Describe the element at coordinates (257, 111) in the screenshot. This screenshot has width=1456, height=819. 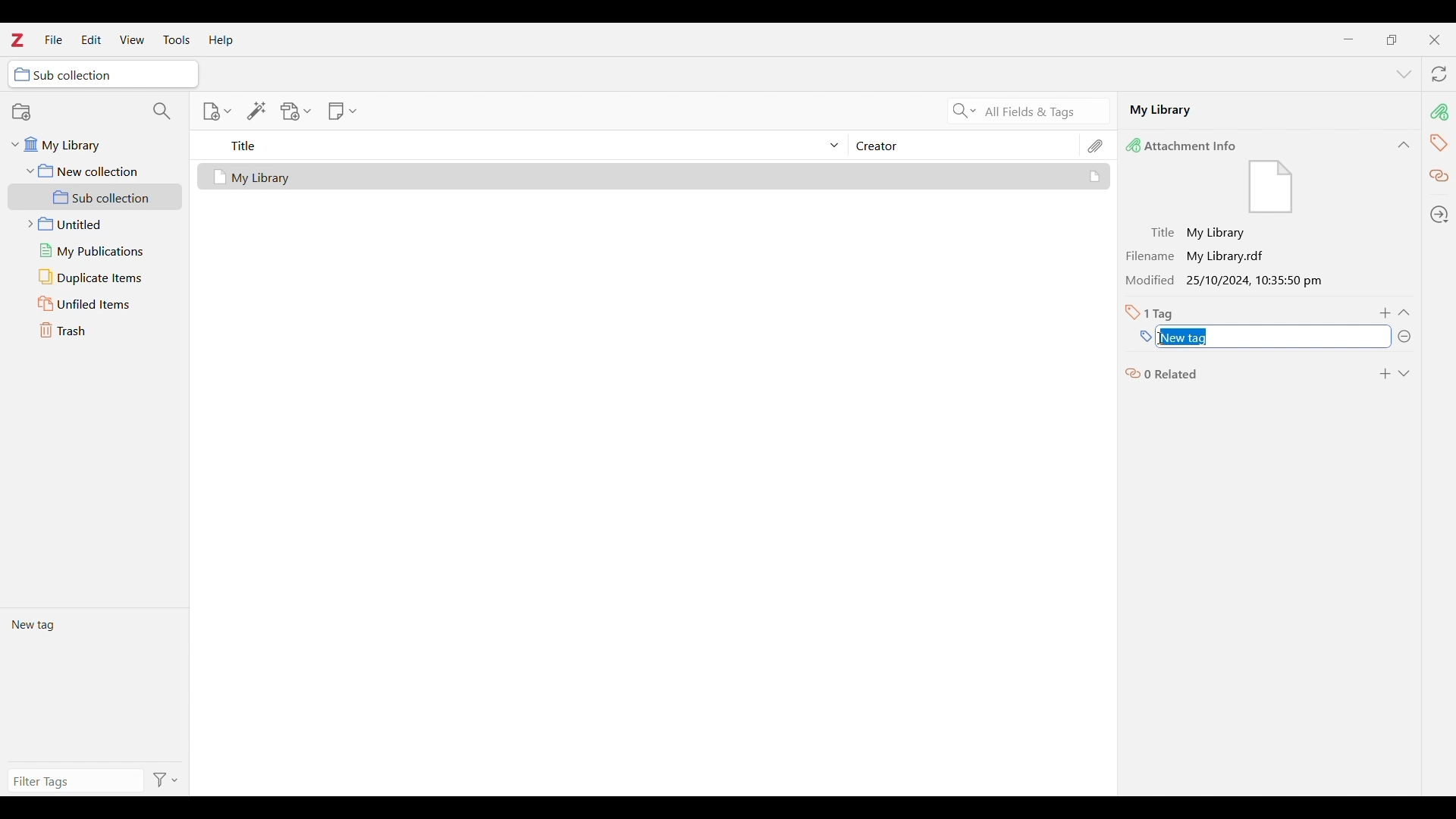
I see `Add item/s by identifier` at that location.